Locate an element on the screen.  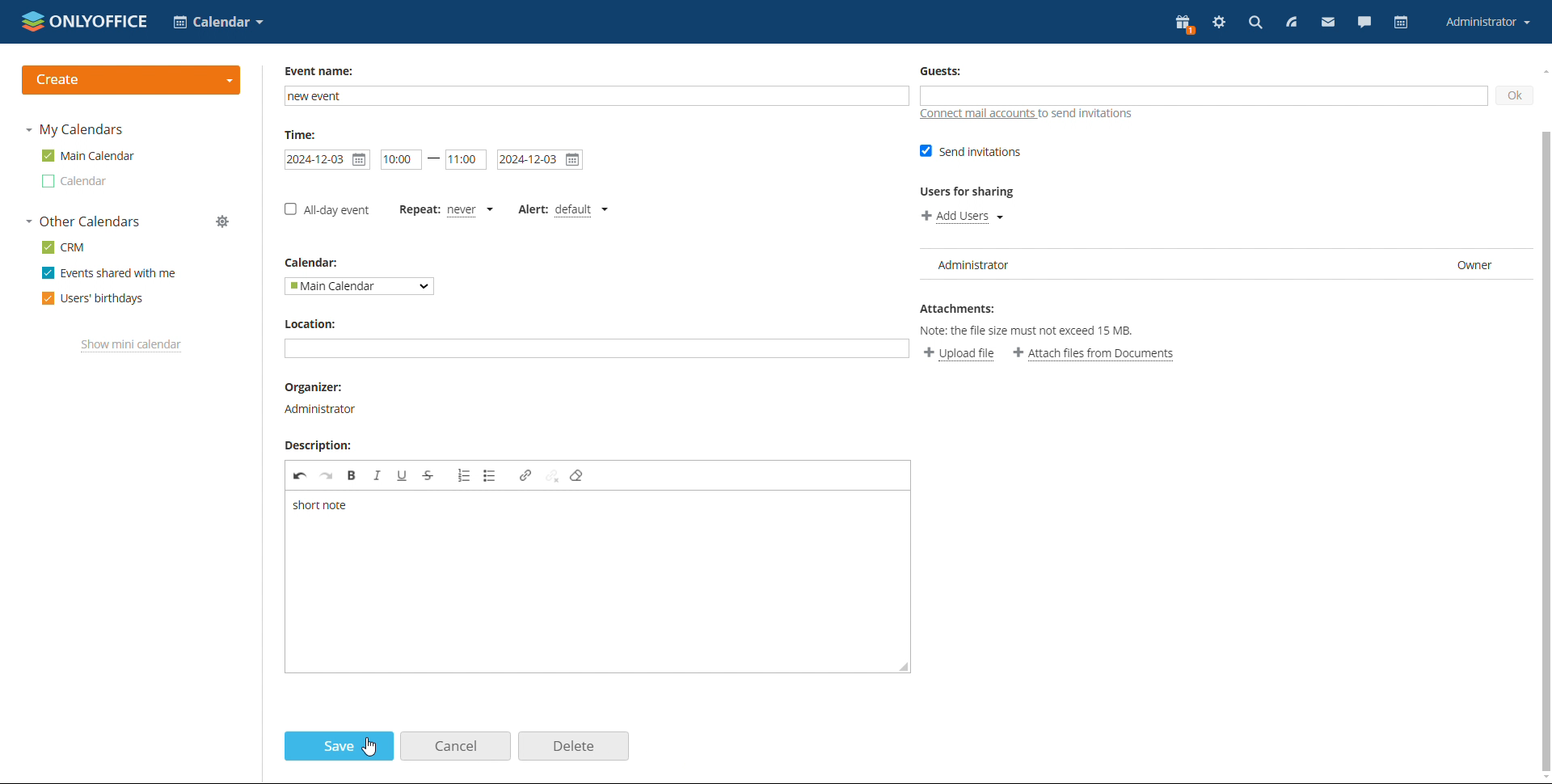
resize is located at coordinates (906, 668).